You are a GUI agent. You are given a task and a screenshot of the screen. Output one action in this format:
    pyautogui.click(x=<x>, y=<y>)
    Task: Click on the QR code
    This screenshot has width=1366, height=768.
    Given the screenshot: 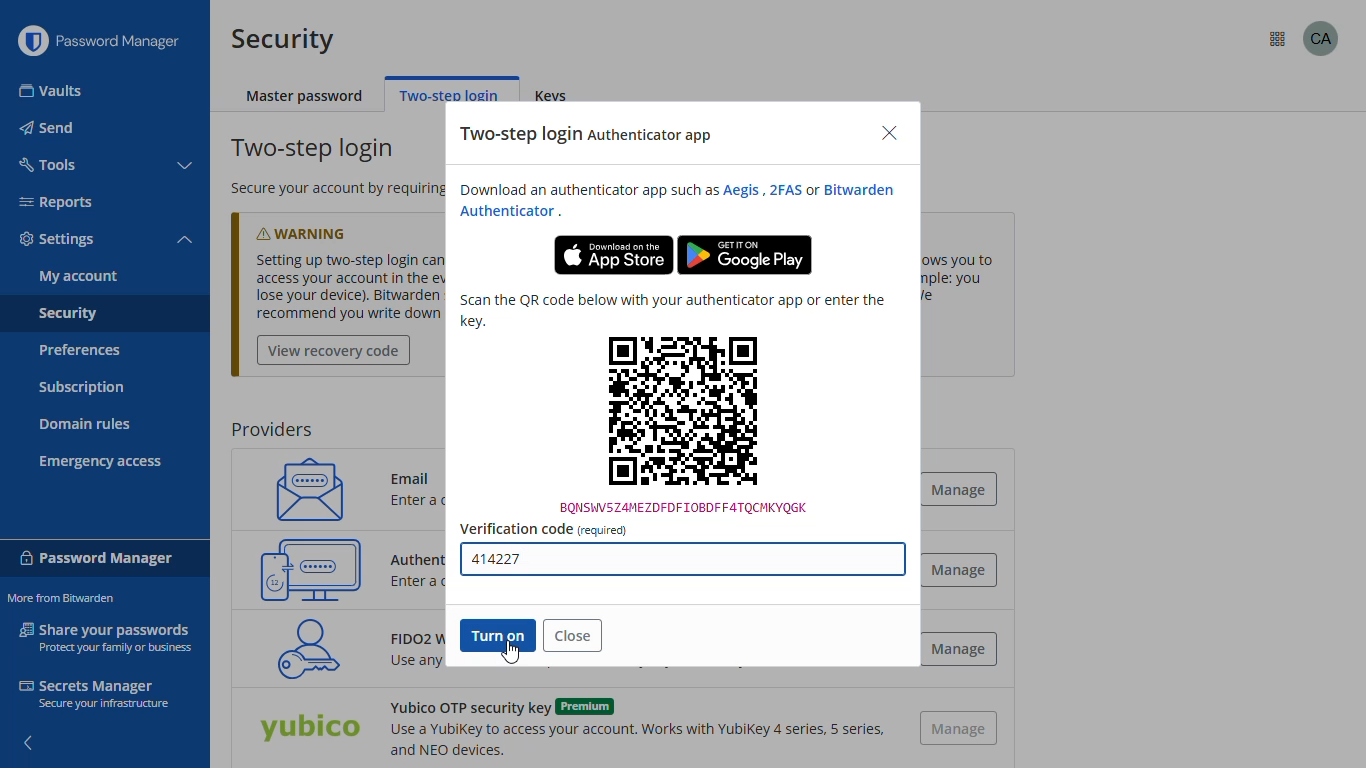 What is the action you would take?
    pyautogui.click(x=684, y=424)
    